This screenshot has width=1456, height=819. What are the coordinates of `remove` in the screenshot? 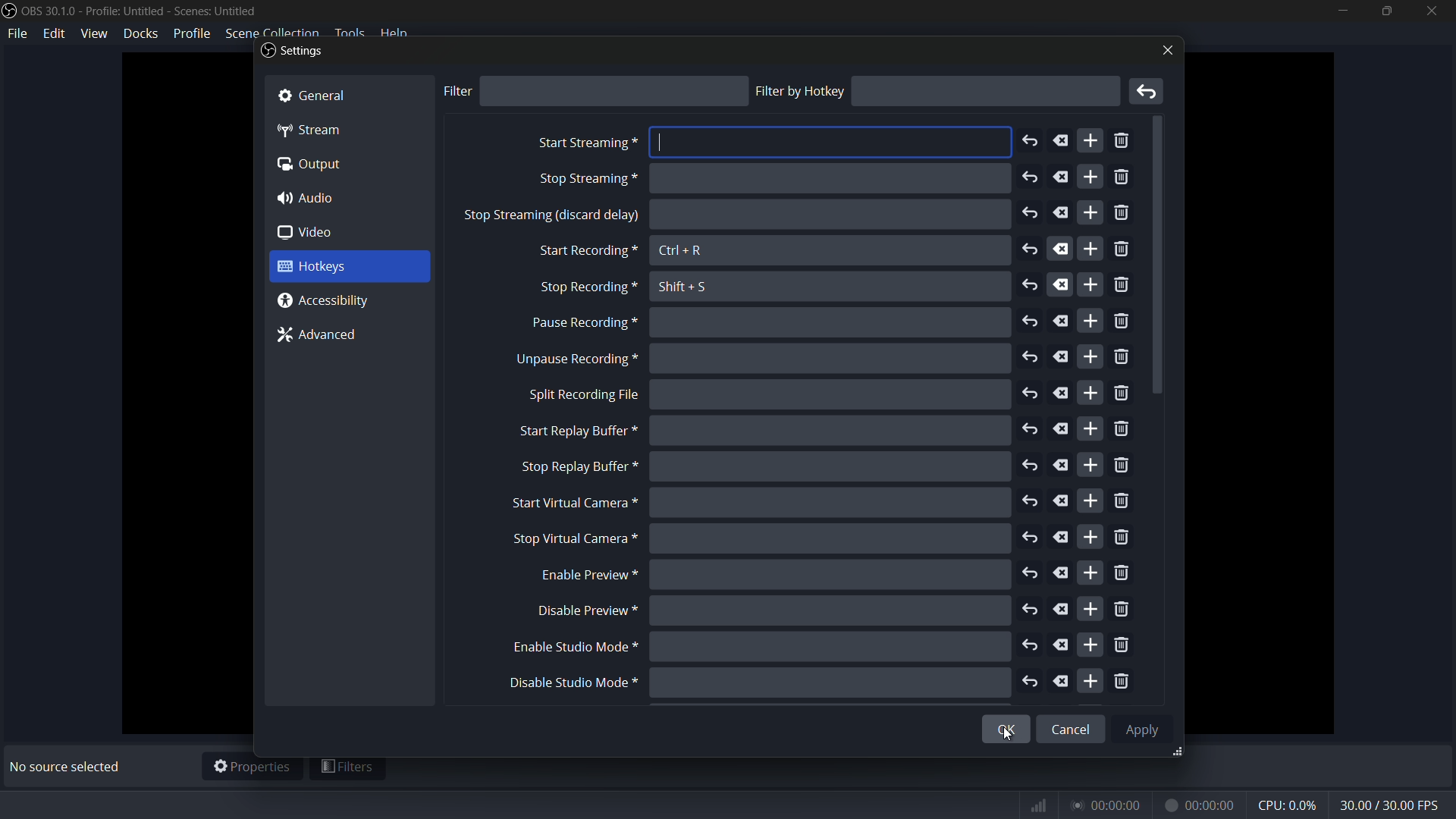 It's located at (1149, 92).